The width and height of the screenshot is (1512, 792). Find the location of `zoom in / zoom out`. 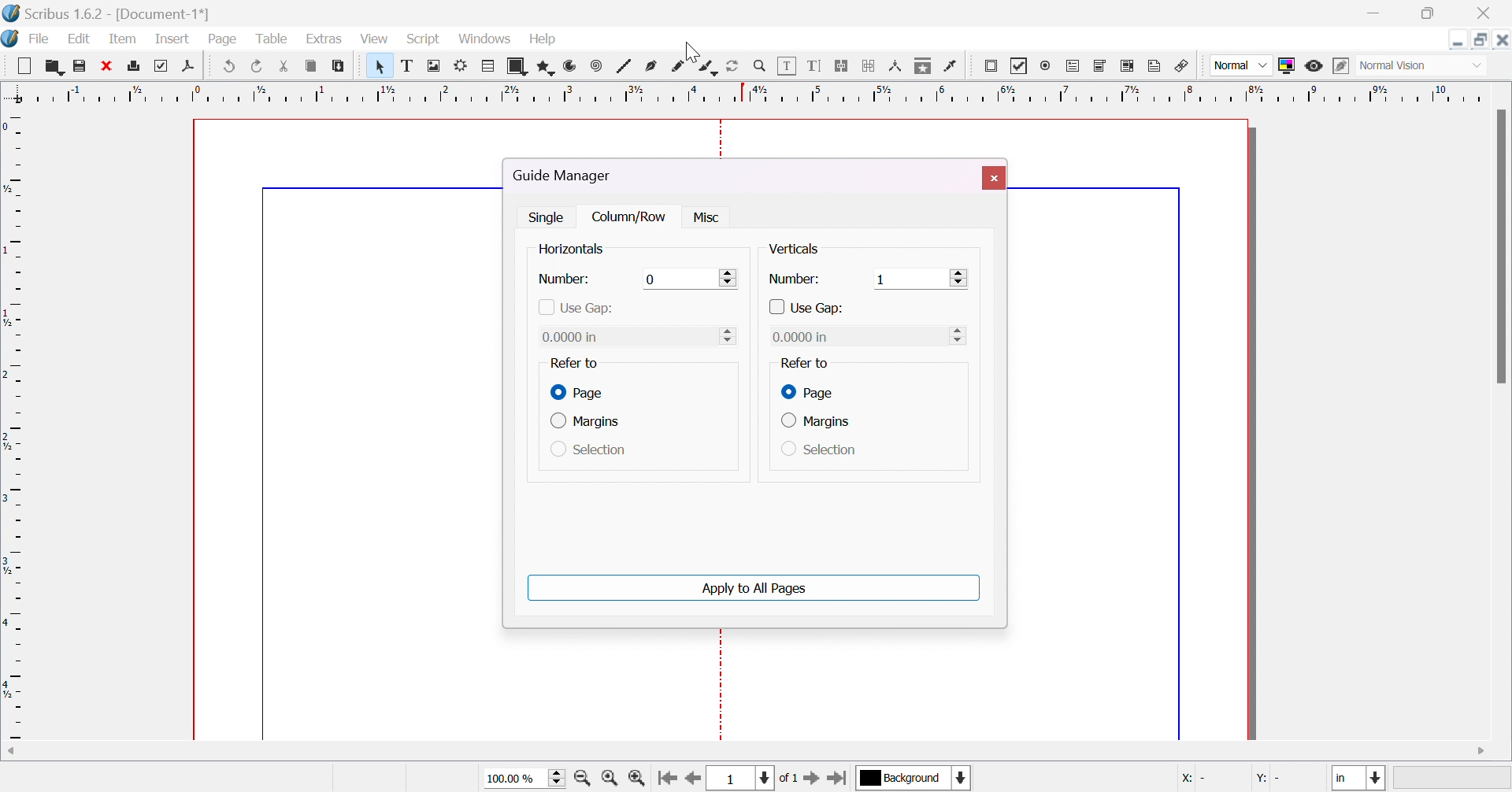

zoom in / zoom out is located at coordinates (761, 67).